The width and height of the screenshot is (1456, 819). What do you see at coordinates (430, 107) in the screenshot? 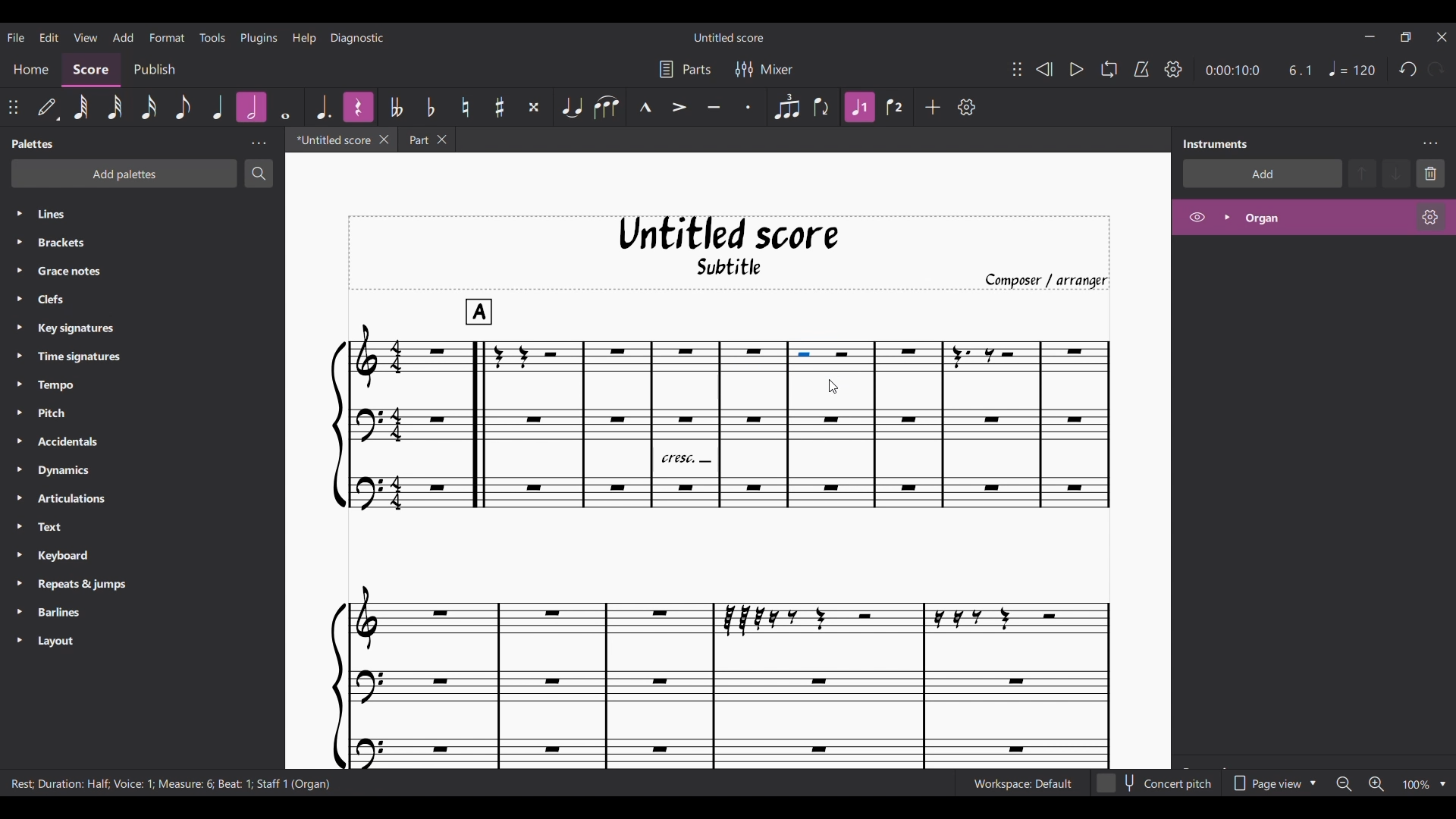
I see `Toggle flat` at bounding box center [430, 107].